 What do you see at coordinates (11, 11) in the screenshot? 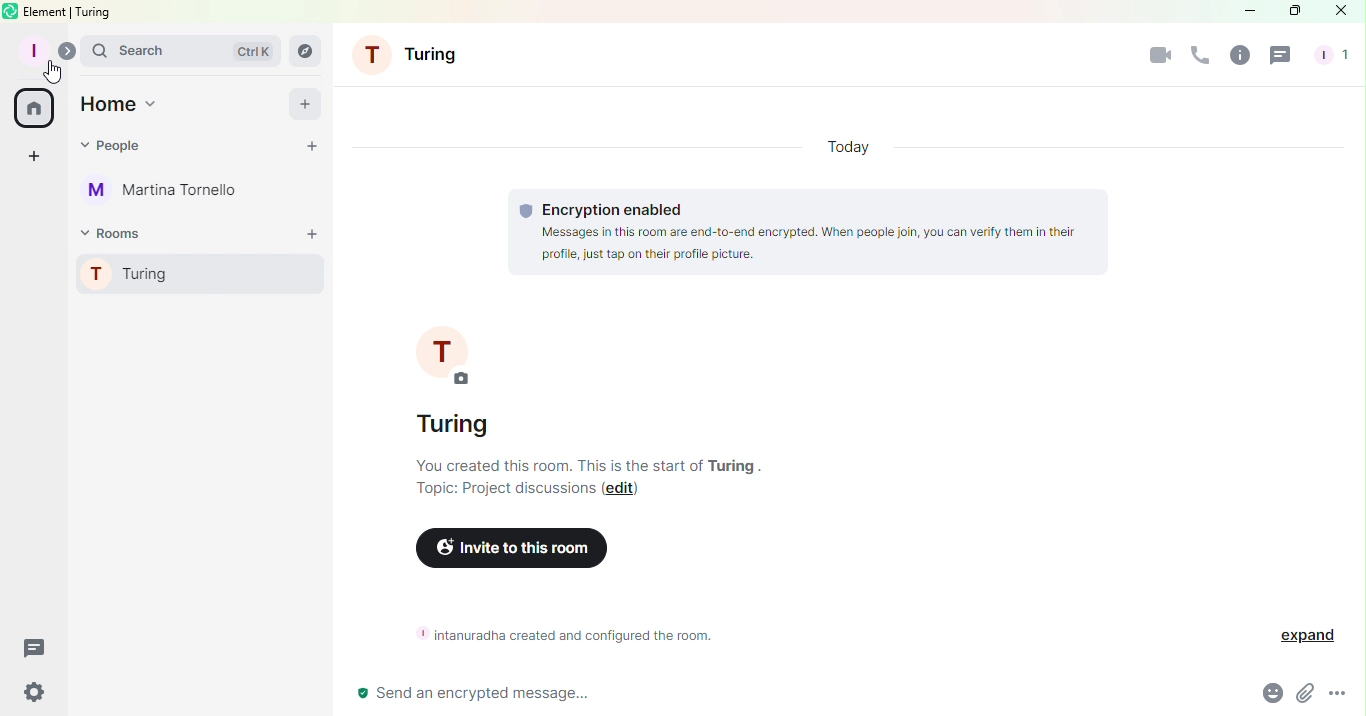
I see `element logo` at bounding box center [11, 11].